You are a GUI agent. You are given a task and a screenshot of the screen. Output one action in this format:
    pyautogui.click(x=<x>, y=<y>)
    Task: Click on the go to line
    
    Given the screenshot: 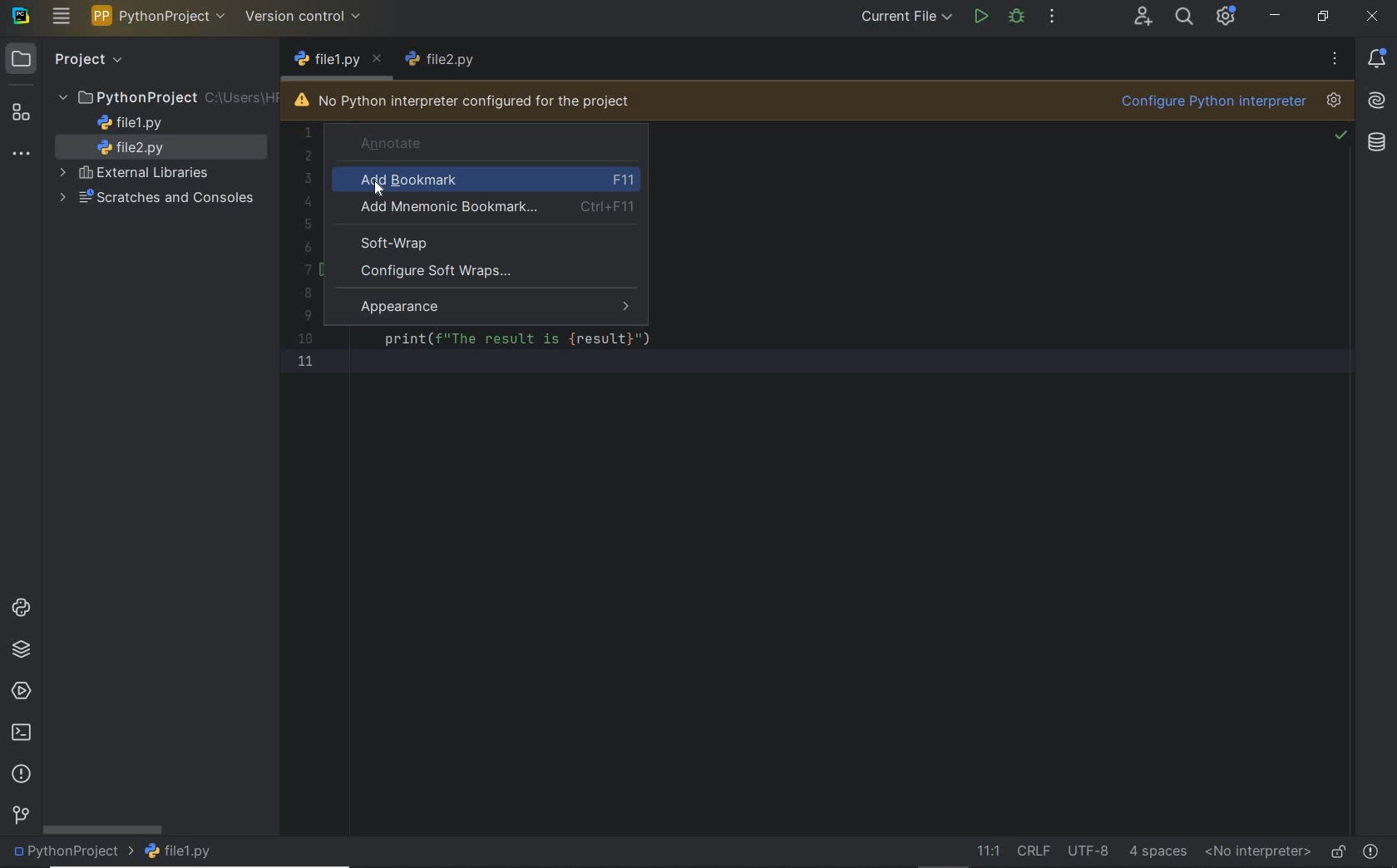 What is the action you would take?
    pyautogui.click(x=986, y=851)
    